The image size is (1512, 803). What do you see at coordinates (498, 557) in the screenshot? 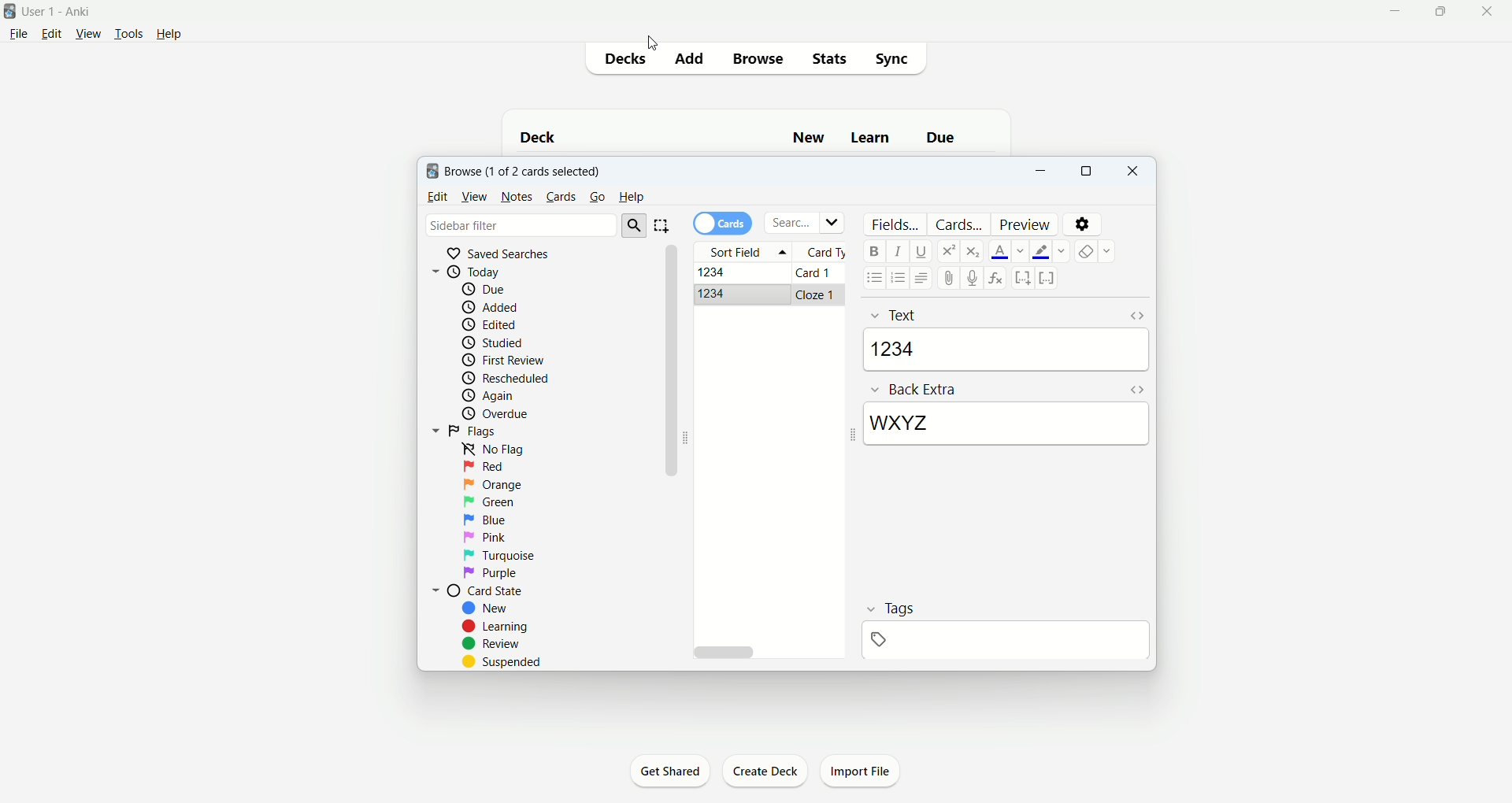
I see `turquoise` at bounding box center [498, 557].